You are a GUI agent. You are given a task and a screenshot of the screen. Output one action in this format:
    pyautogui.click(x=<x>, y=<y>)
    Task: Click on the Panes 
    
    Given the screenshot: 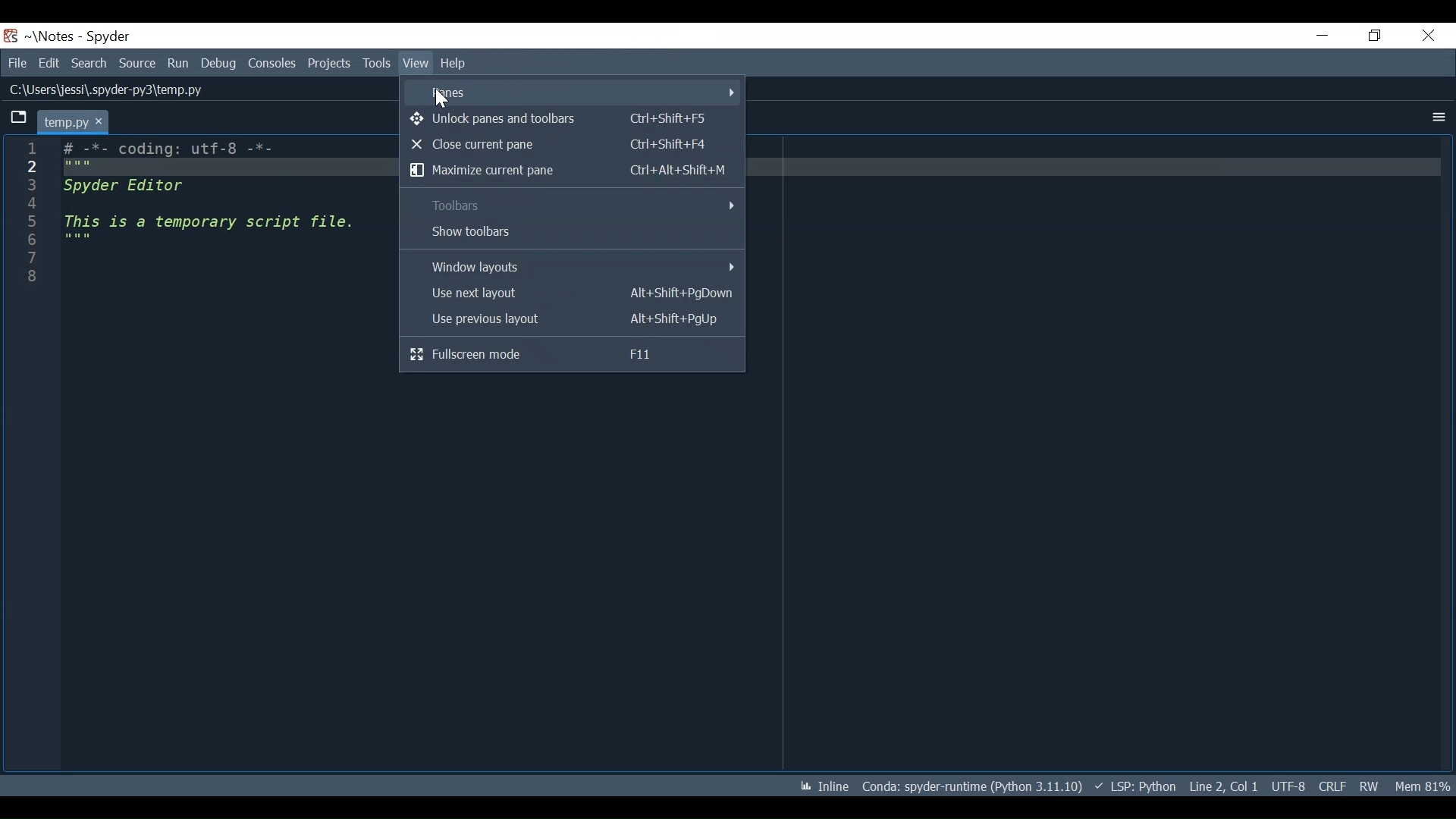 What is the action you would take?
    pyautogui.click(x=579, y=93)
    